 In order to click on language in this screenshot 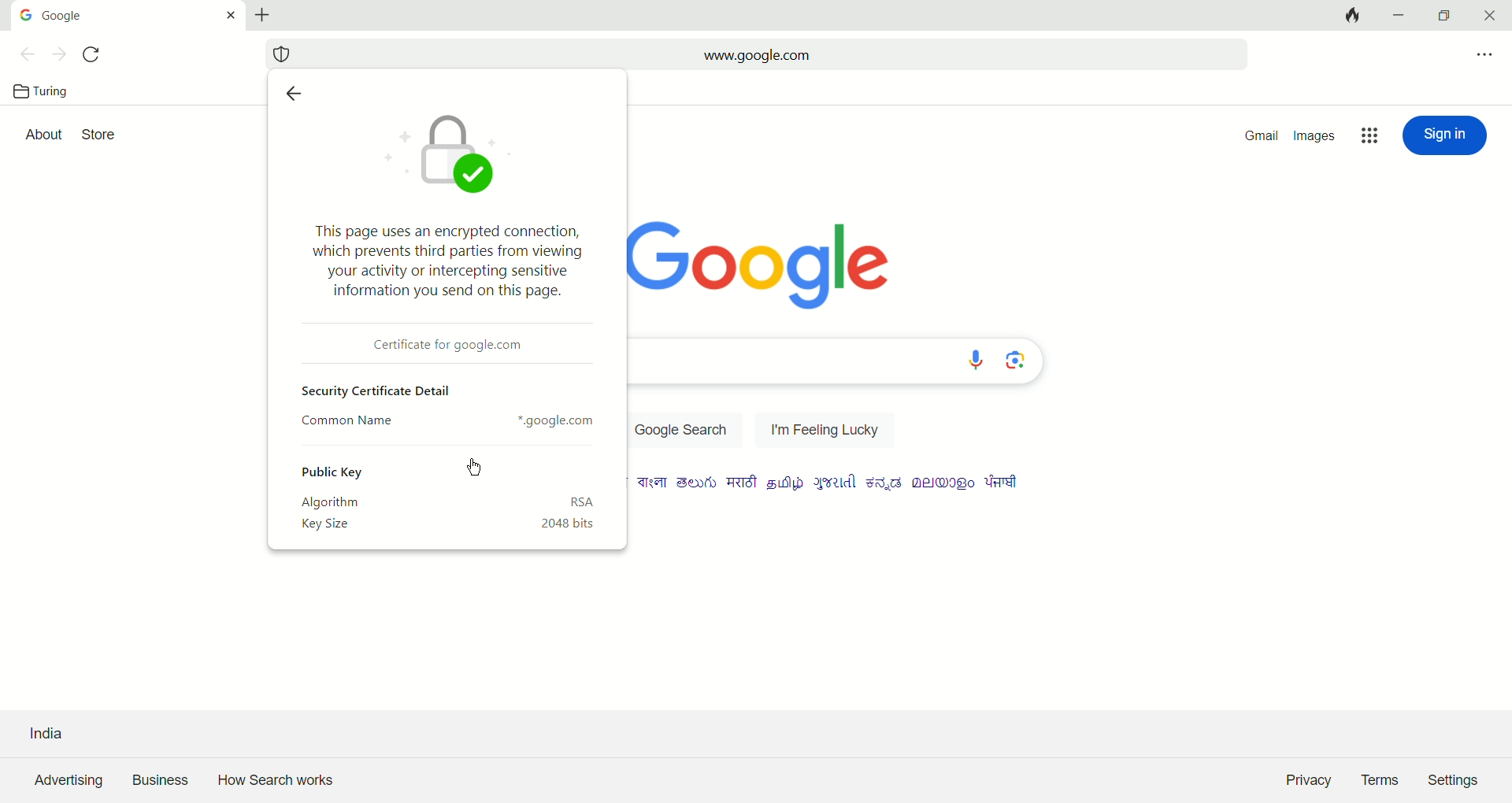, I will do `click(835, 483)`.